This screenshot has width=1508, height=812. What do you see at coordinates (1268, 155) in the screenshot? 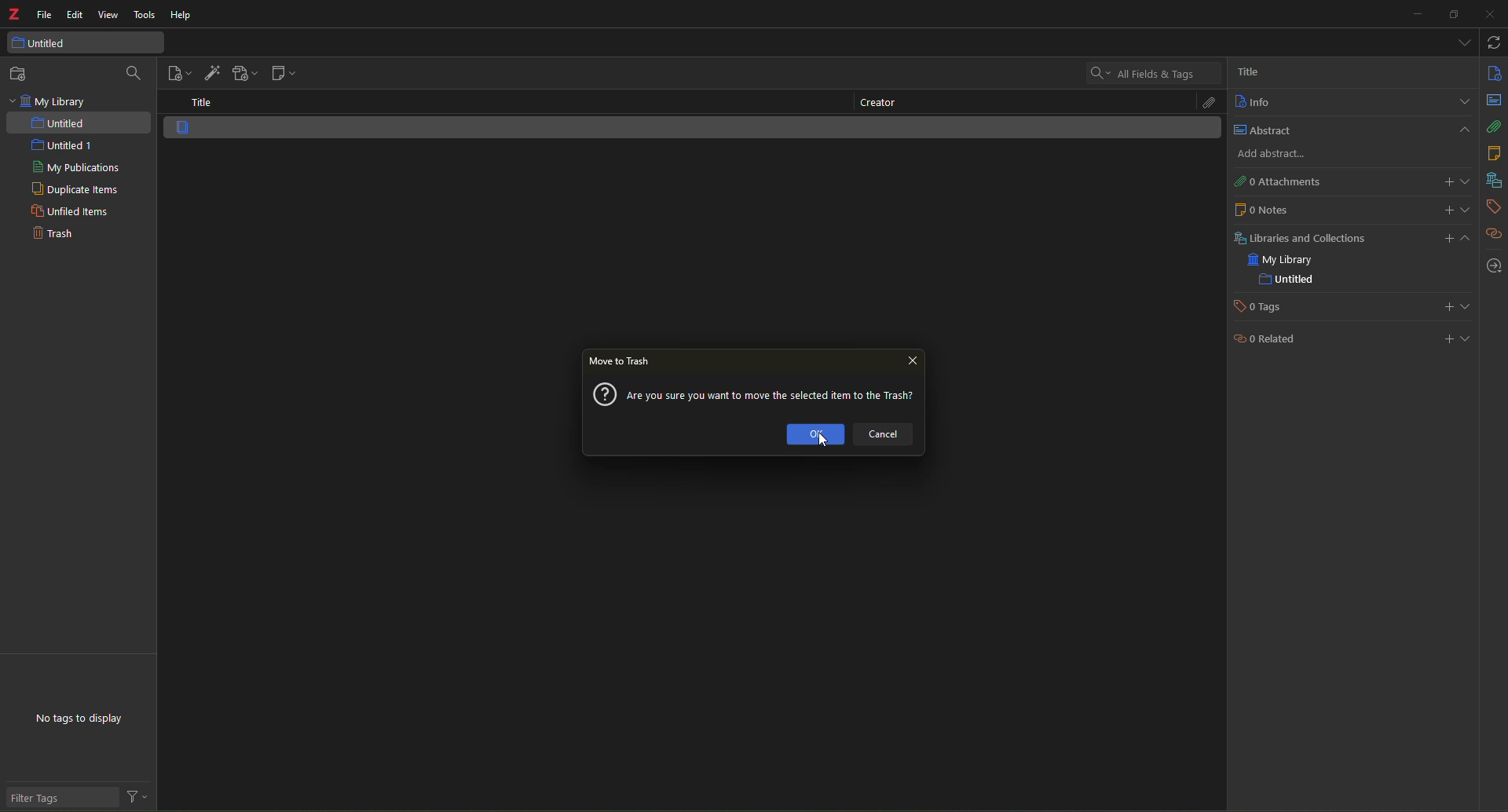
I see `add` at bounding box center [1268, 155].